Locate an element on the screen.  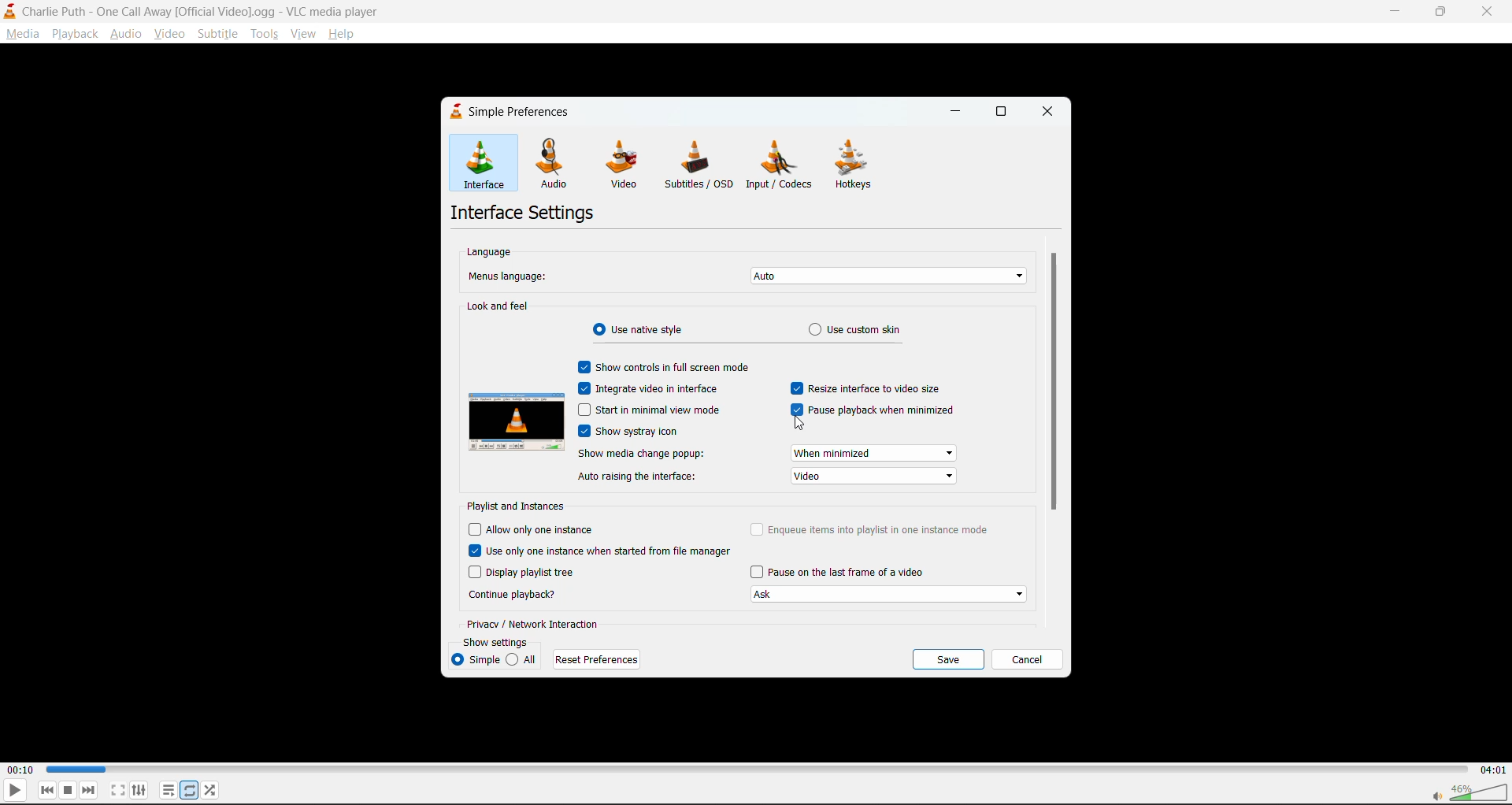
allow only one instance is located at coordinates (546, 531).